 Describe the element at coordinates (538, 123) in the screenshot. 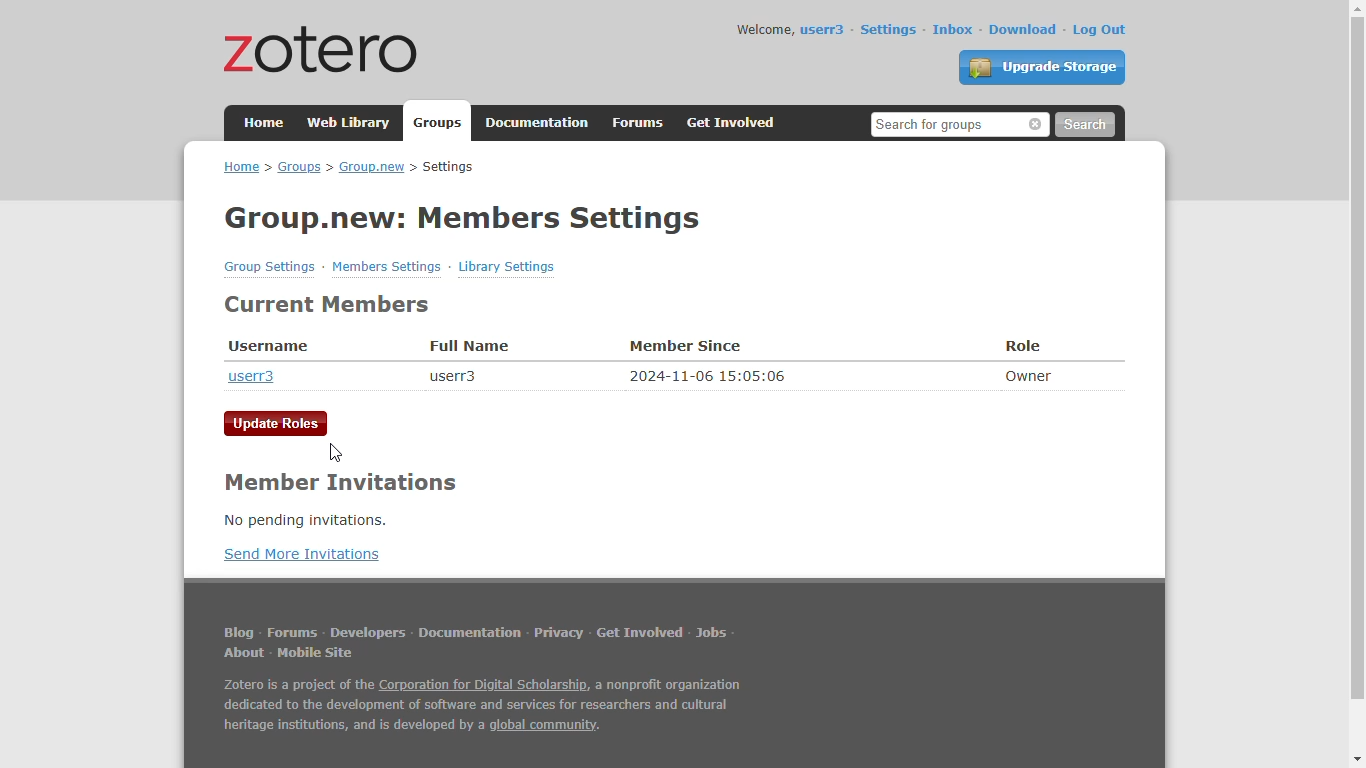

I see `documentation` at that location.